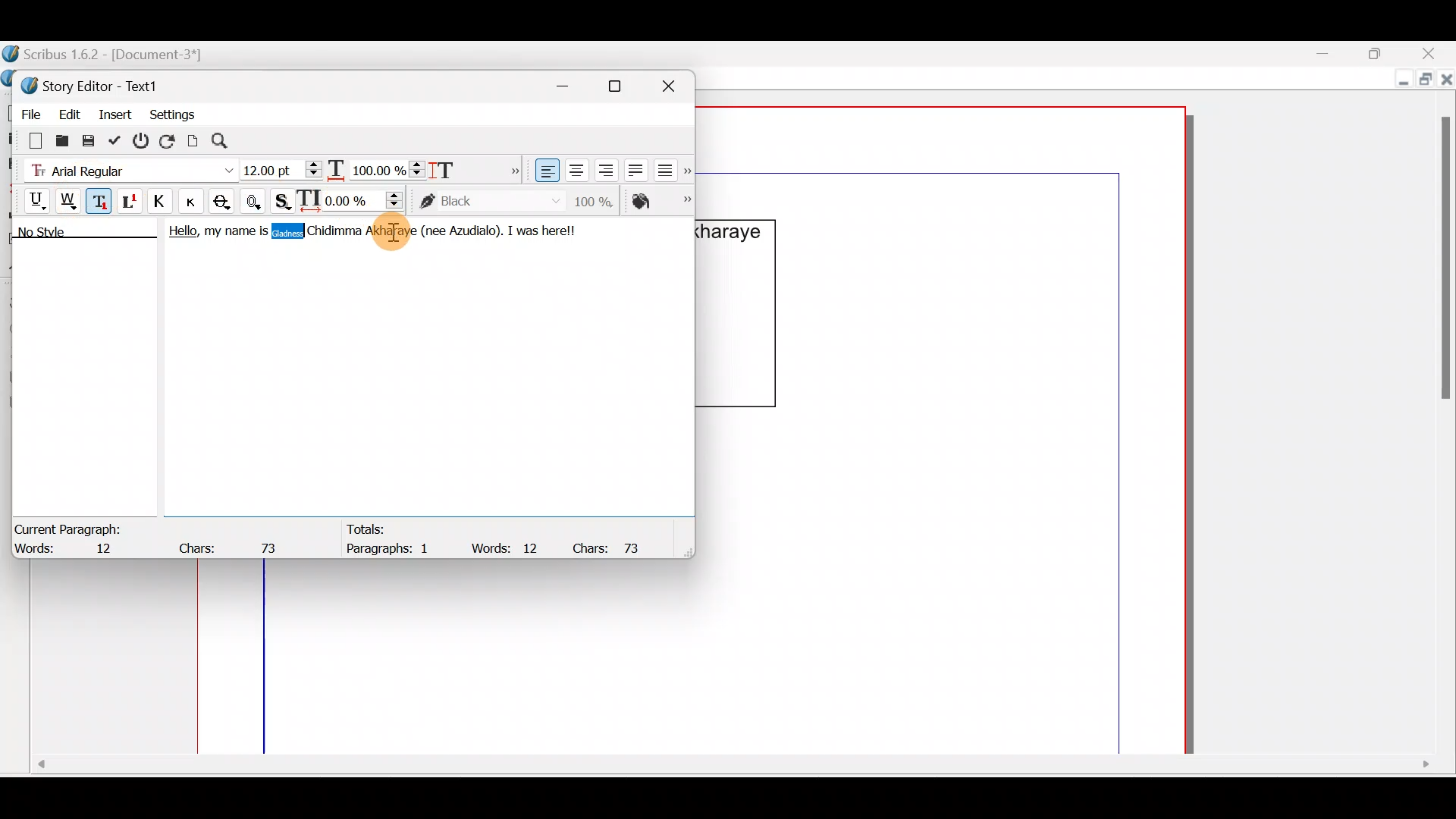 The width and height of the screenshot is (1456, 819). Describe the element at coordinates (575, 168) in the screenshot. I see `Align text center` at that location.